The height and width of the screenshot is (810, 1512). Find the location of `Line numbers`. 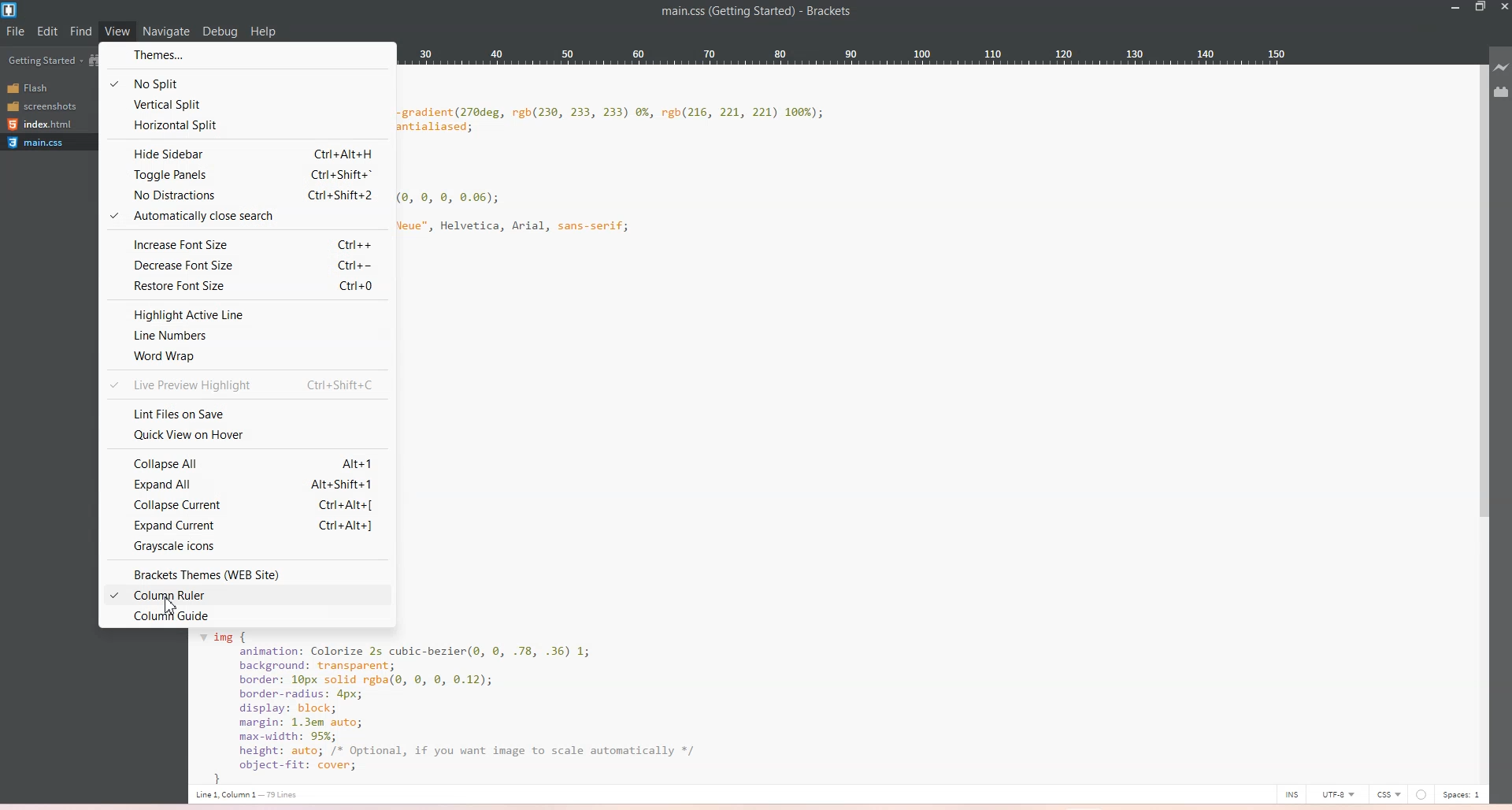

Line numbers is located at coordinates (247, 335).